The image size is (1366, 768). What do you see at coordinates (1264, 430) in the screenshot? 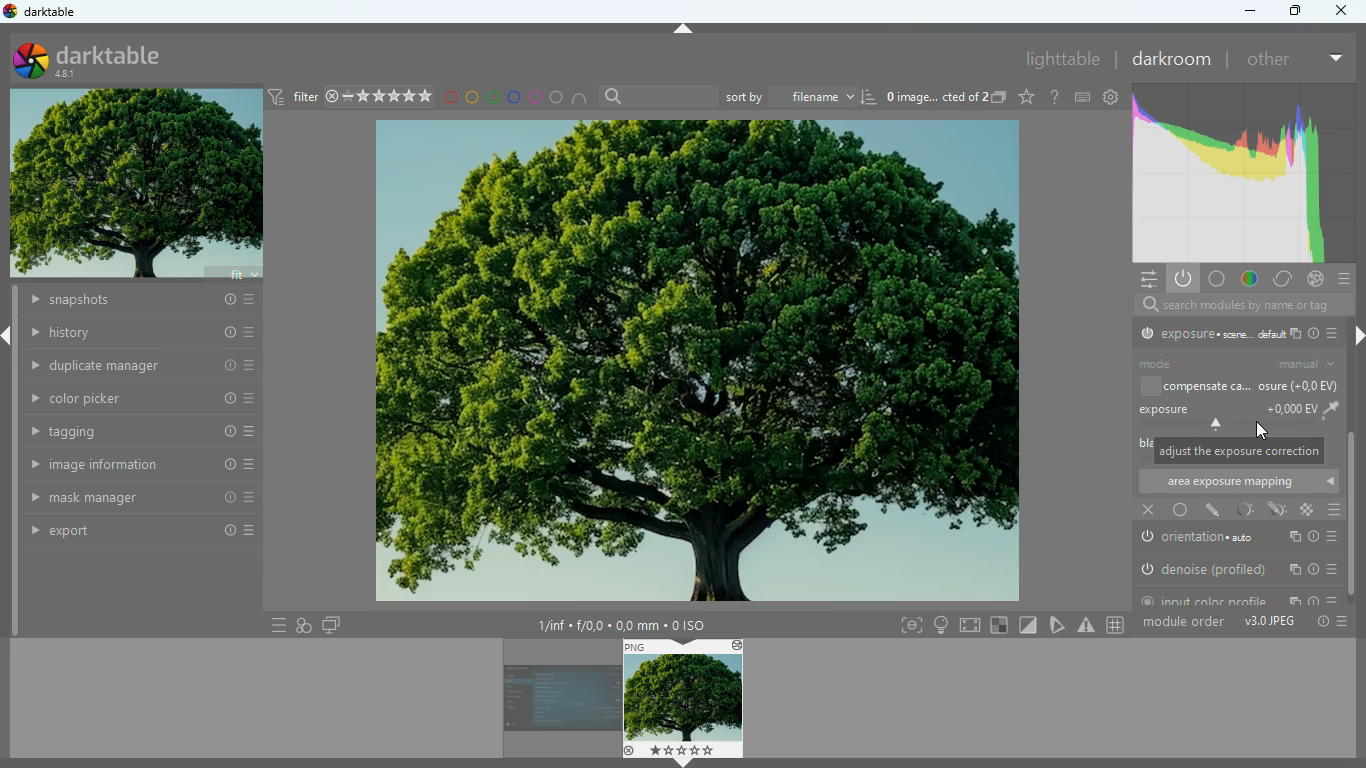
I see `Cursor` at bounding box center [1264, 430].